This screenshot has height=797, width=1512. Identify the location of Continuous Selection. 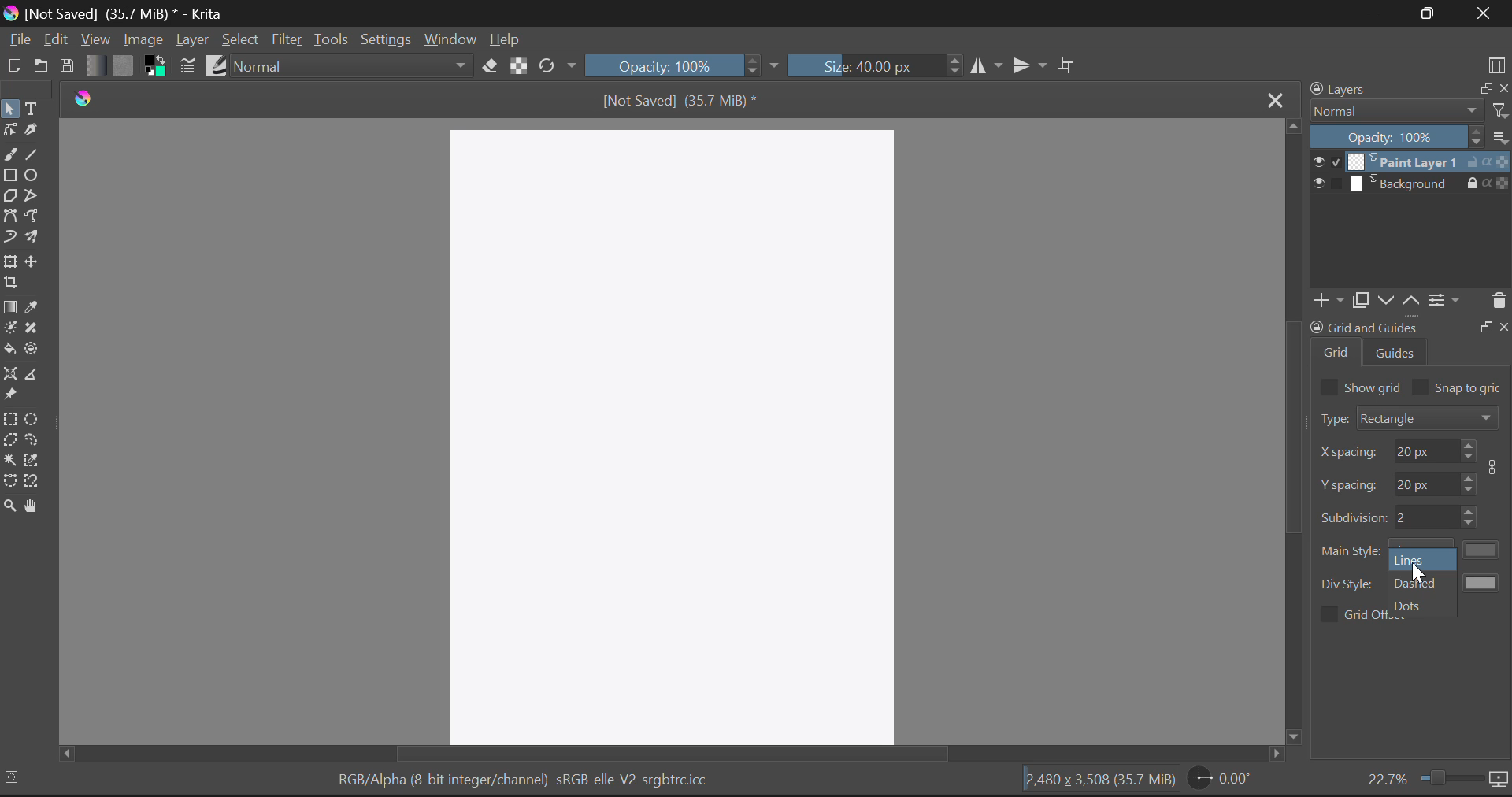
(9, 460).